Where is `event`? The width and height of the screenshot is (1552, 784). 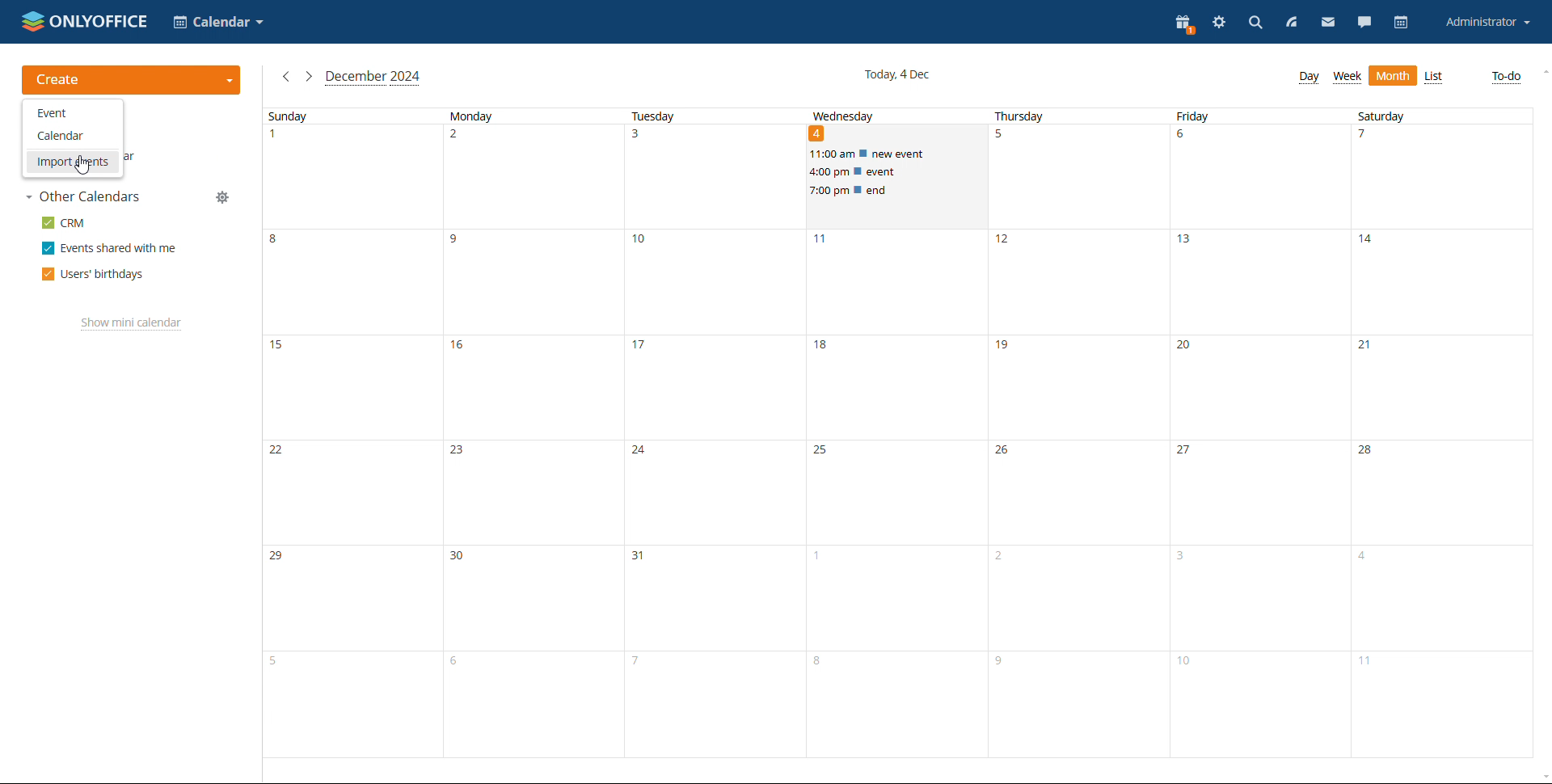
event is located at coordinates (74, 110).